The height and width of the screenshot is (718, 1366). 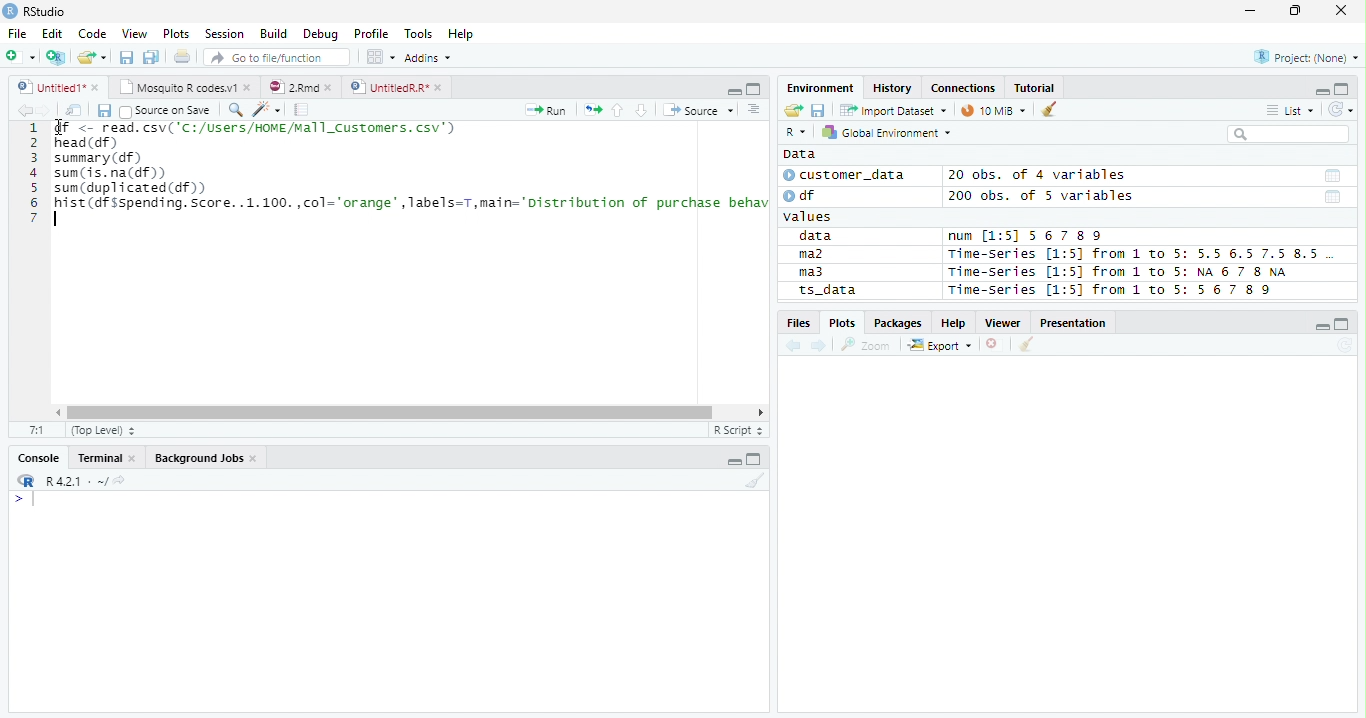 What do you see at coordinates (1027, 344) in the screenshot?
I see `Clean` at bounding box center [1027, 344].